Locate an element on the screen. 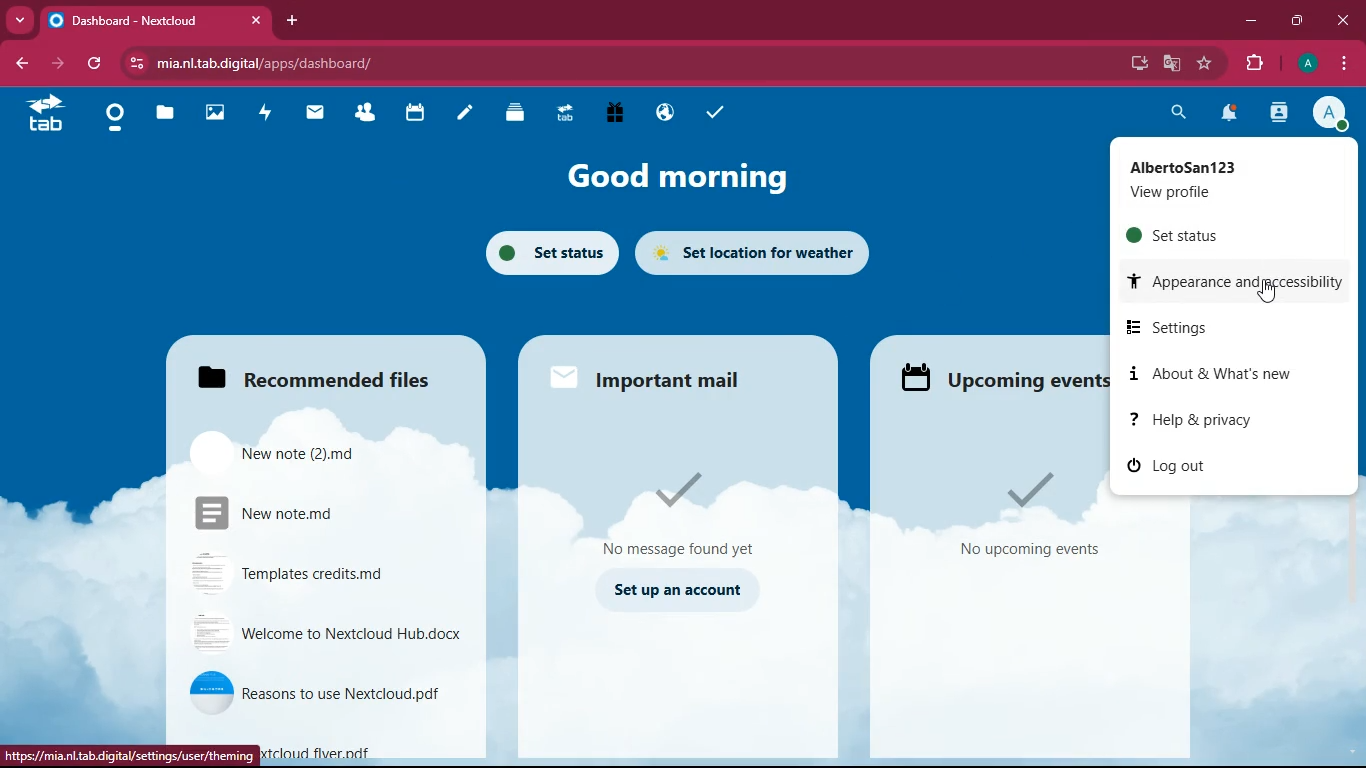 Image resolution: width=1366 pixels, height=768 pixels. text is located at coordinates (322, 752).